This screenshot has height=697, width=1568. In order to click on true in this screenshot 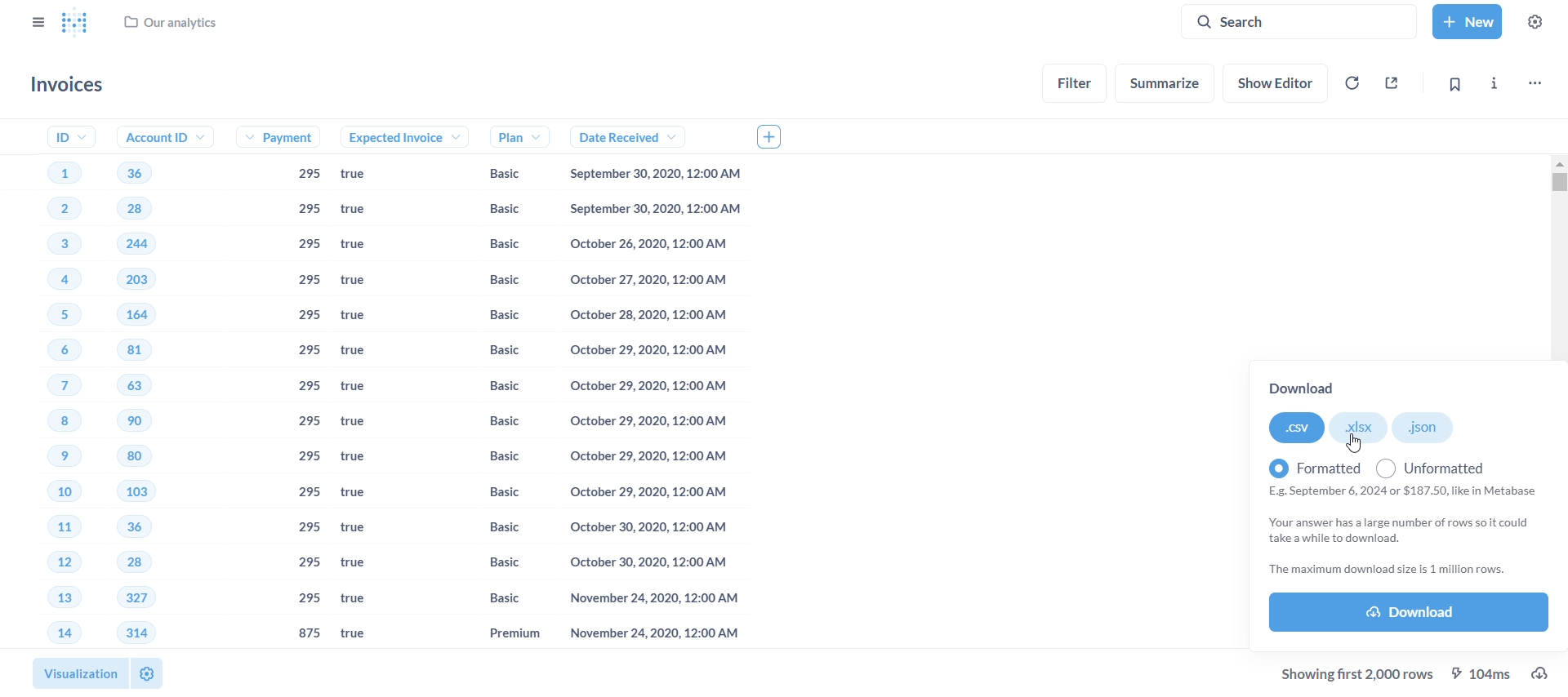, I will do `click(360, 496)`.